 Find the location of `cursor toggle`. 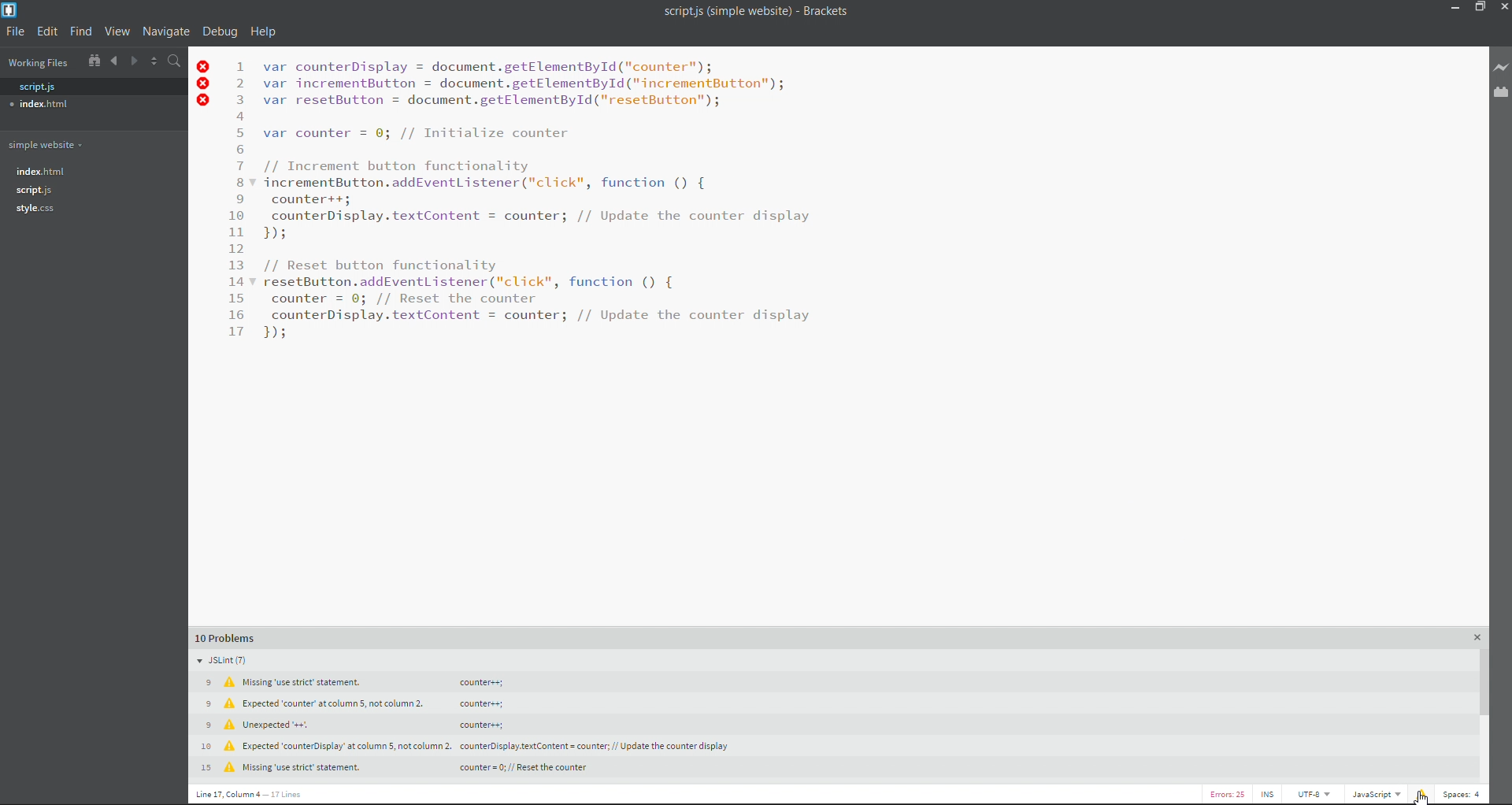

cursor toggle is located at coordinates (1270, 794).